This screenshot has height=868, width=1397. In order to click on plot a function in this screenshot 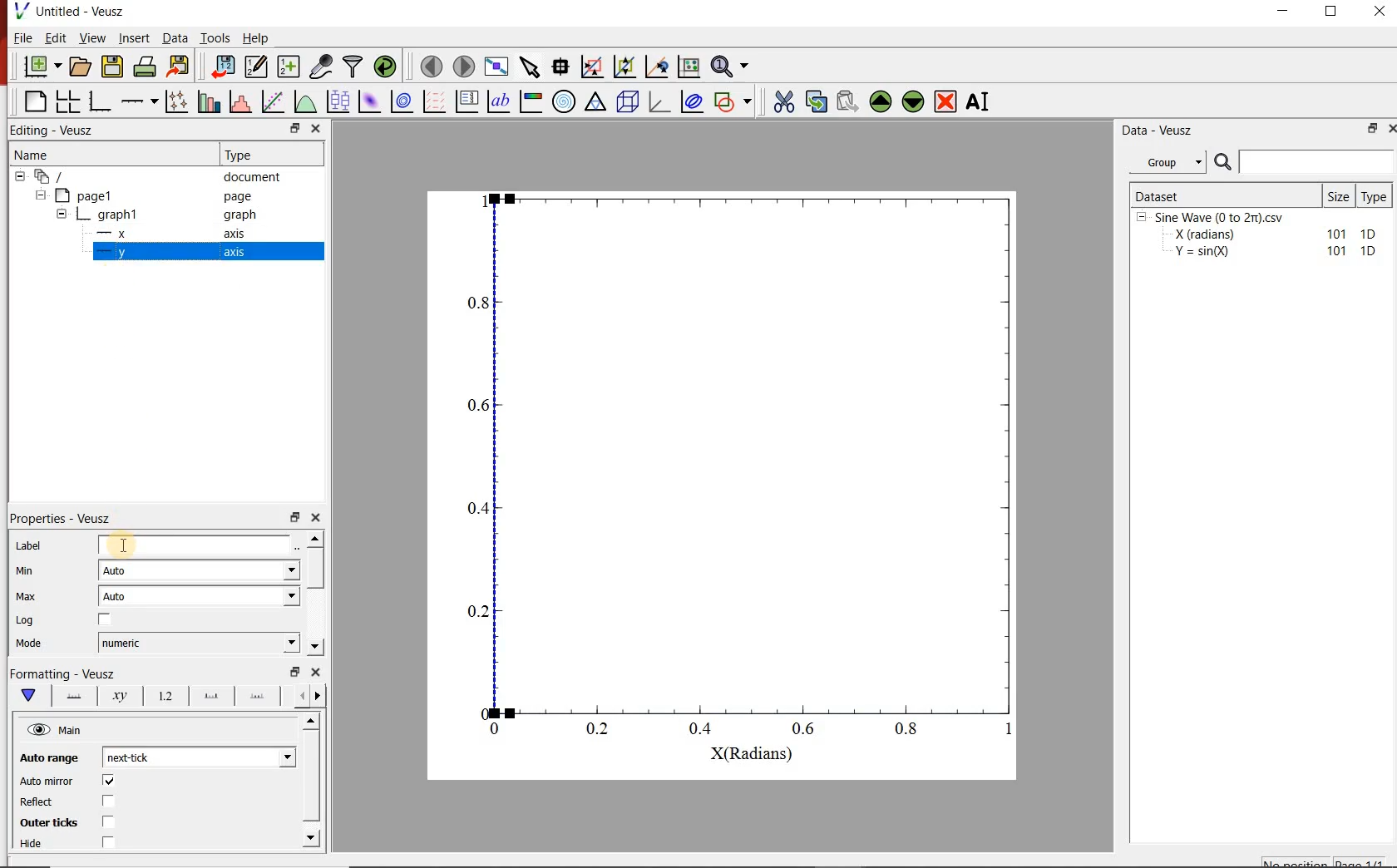, I will do `click(307, 101)`.